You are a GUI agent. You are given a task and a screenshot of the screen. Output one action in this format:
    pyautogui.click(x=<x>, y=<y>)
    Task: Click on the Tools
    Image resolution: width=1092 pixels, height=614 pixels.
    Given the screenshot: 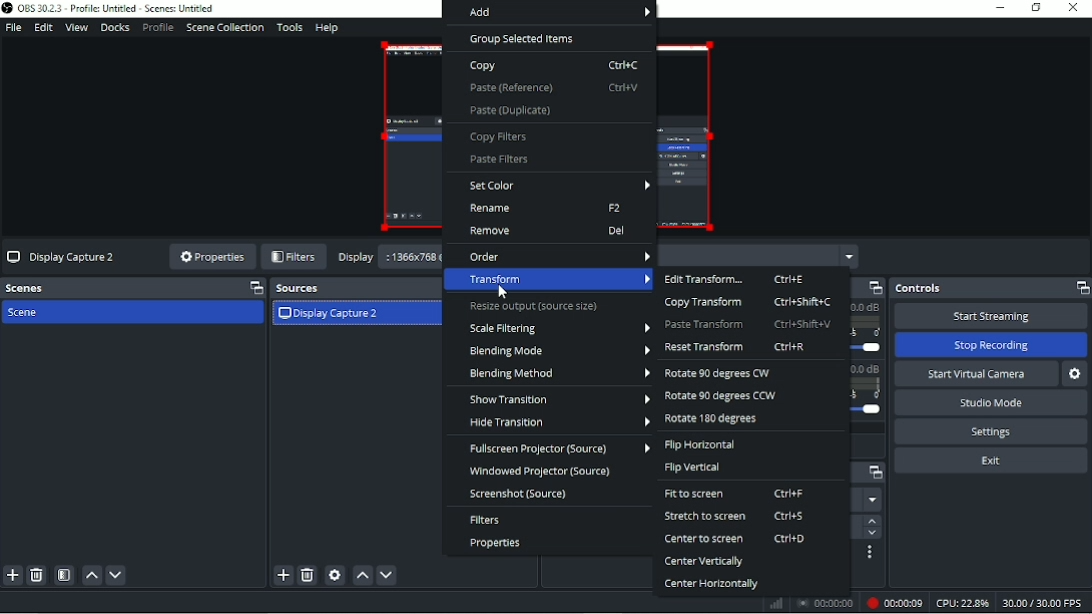 What is the action you would take?
    pyautogui.click(x=290, y=28)
    